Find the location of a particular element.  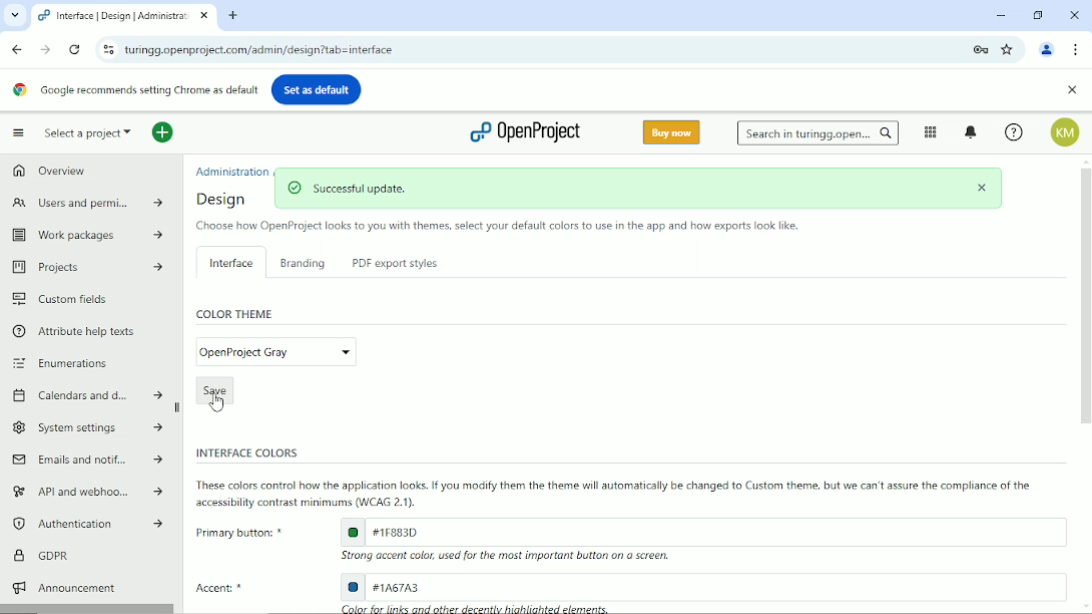

Successful update is located at coordinates (639, 189).